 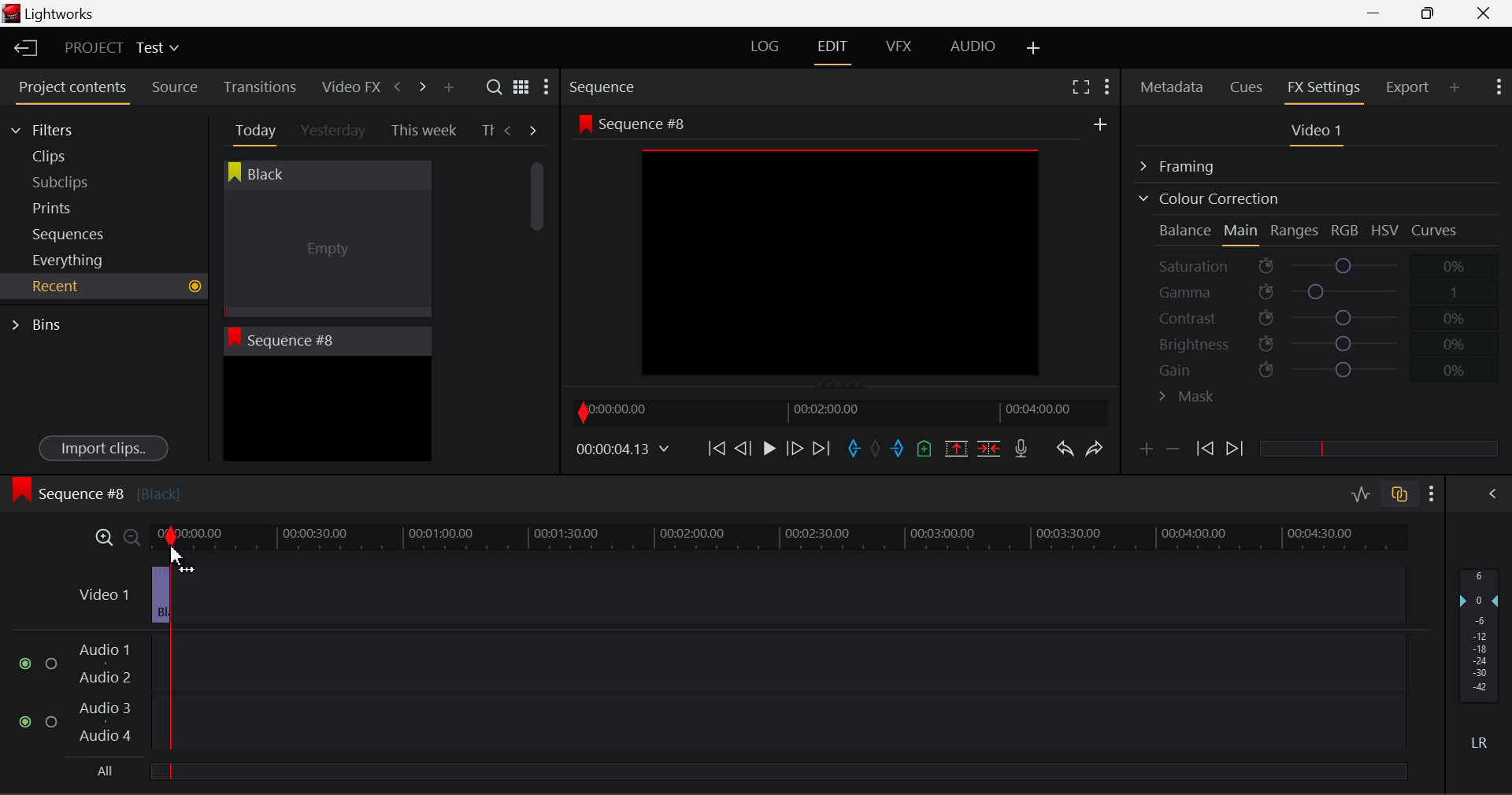 What do you see at coordinates (1497, 85) in the screenshot?
I see `Show Settings` at bounding box center [1497, 85].